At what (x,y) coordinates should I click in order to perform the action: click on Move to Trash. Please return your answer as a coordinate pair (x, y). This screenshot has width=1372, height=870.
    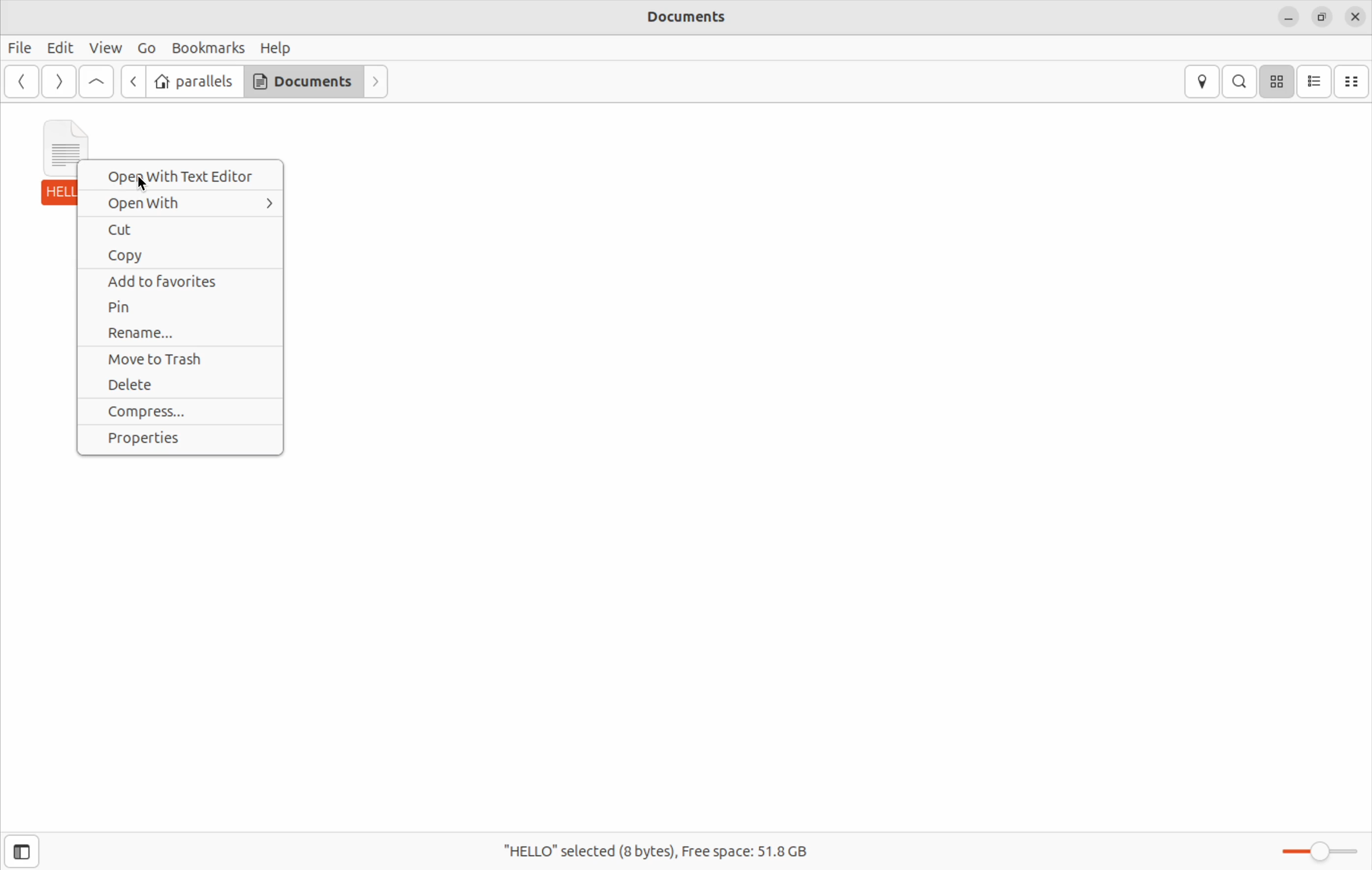
    Looking at the image, I should click on (174, 360).